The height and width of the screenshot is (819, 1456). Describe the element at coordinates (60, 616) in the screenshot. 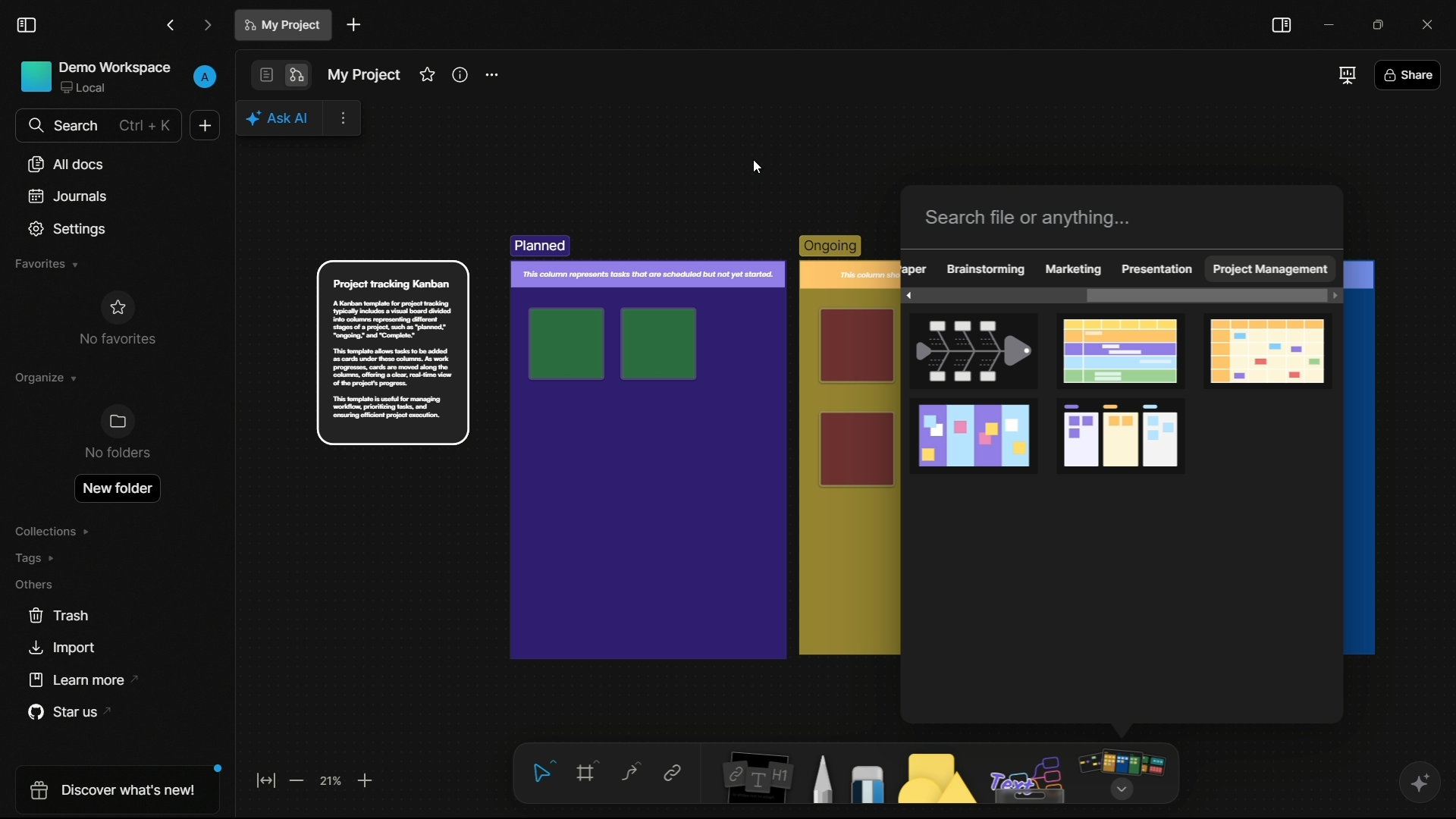

I see `trash` at that location.